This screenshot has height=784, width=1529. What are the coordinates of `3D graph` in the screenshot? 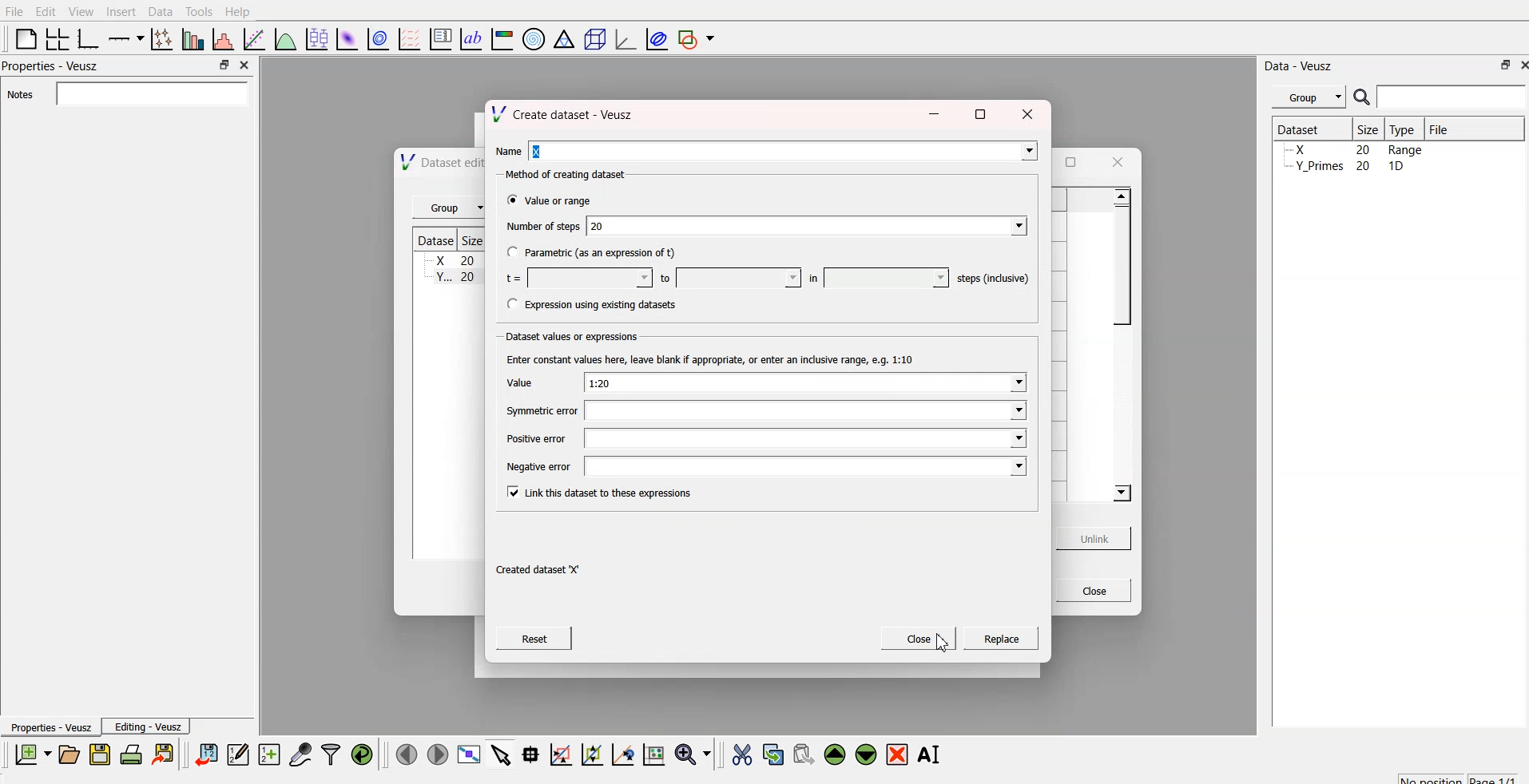 It's located at (624, 39).